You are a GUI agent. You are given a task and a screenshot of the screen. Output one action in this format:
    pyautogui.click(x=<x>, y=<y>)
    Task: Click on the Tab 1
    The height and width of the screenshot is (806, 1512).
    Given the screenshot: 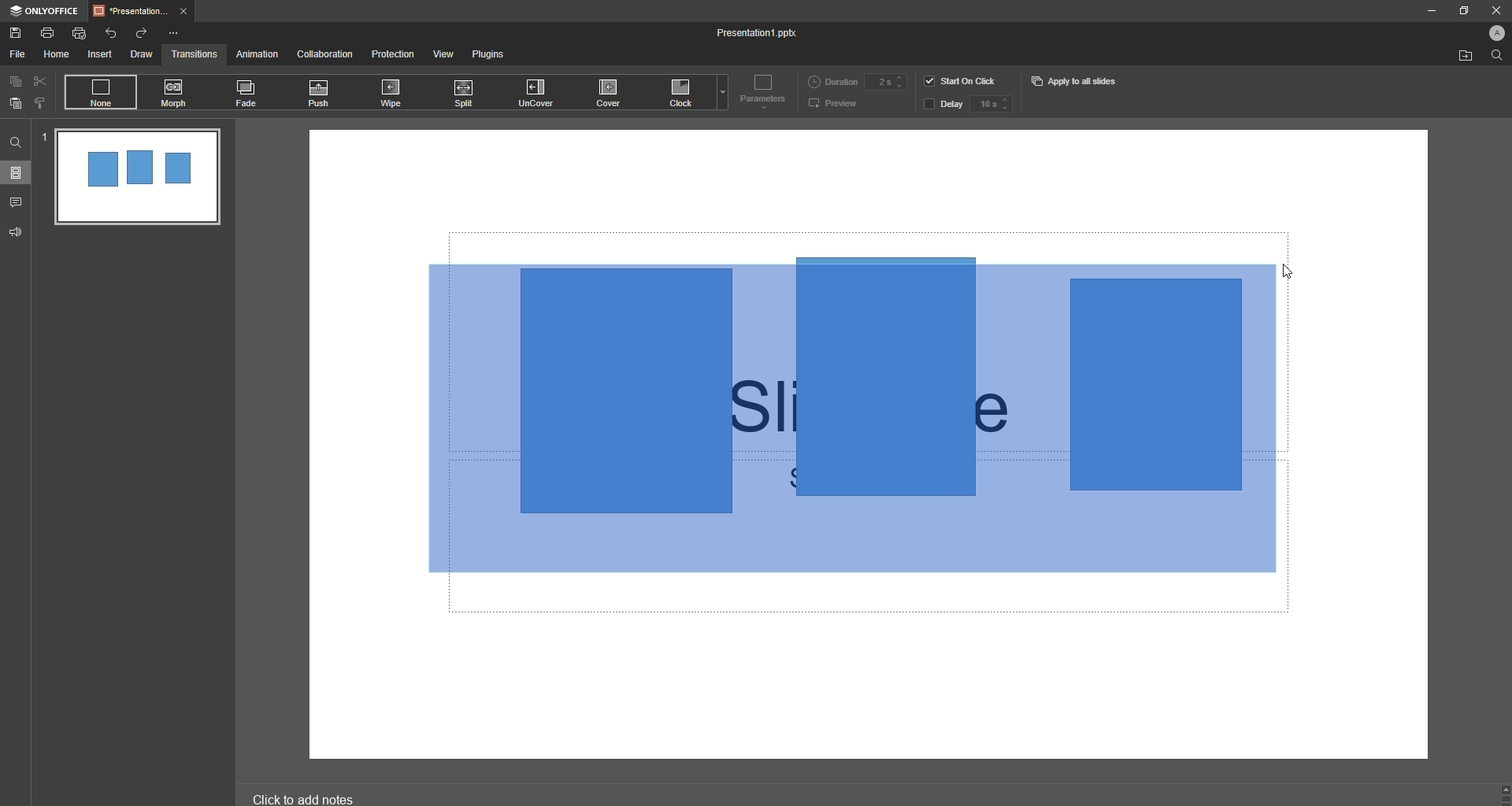 What is the action you would take?
    pyautogui.click(x=145, y=11)
    